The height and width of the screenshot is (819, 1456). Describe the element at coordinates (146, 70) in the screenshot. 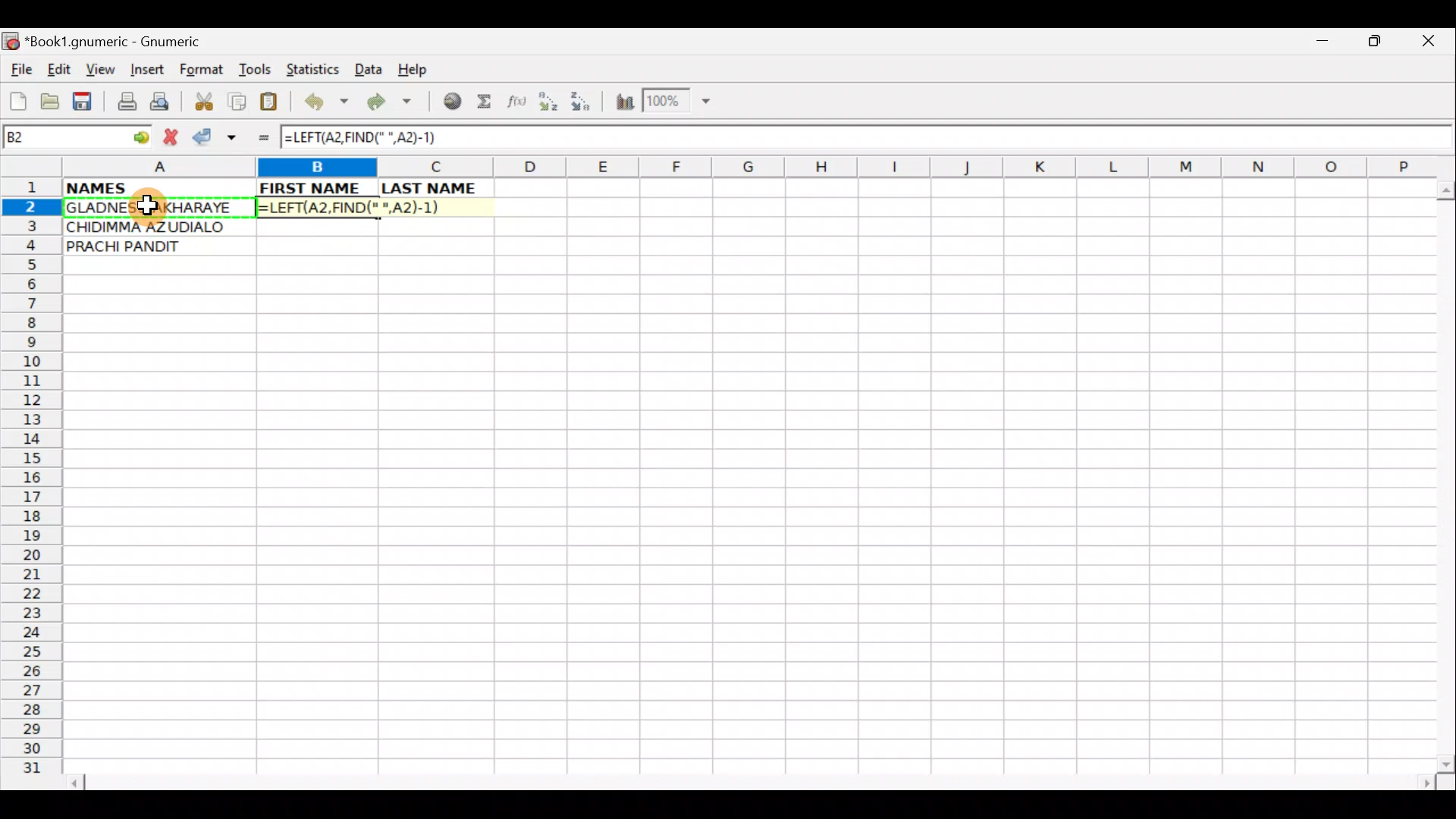

I see `Insert` at that location.